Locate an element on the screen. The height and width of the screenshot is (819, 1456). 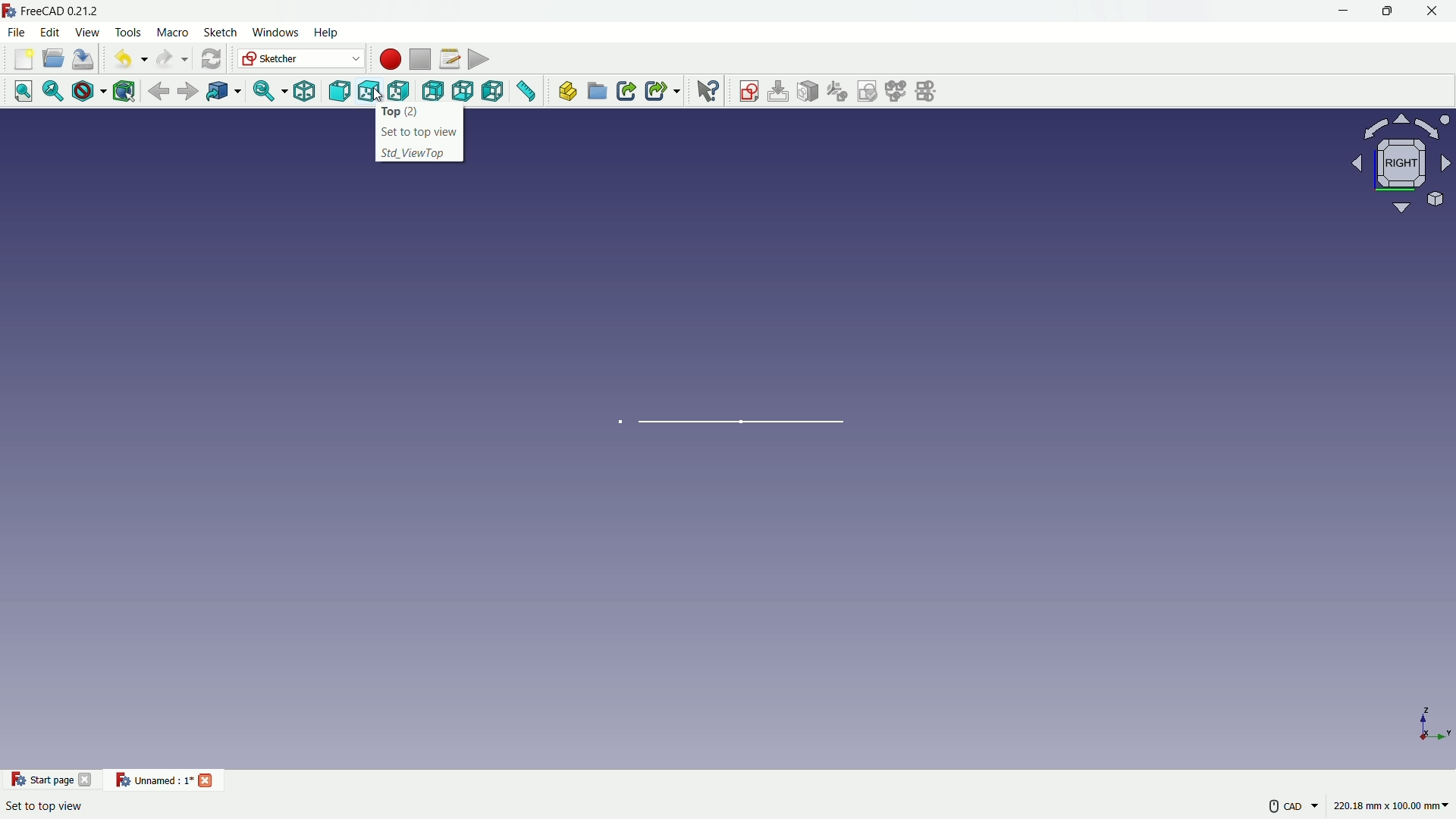
measure distance is located at coordinates (529, 93).